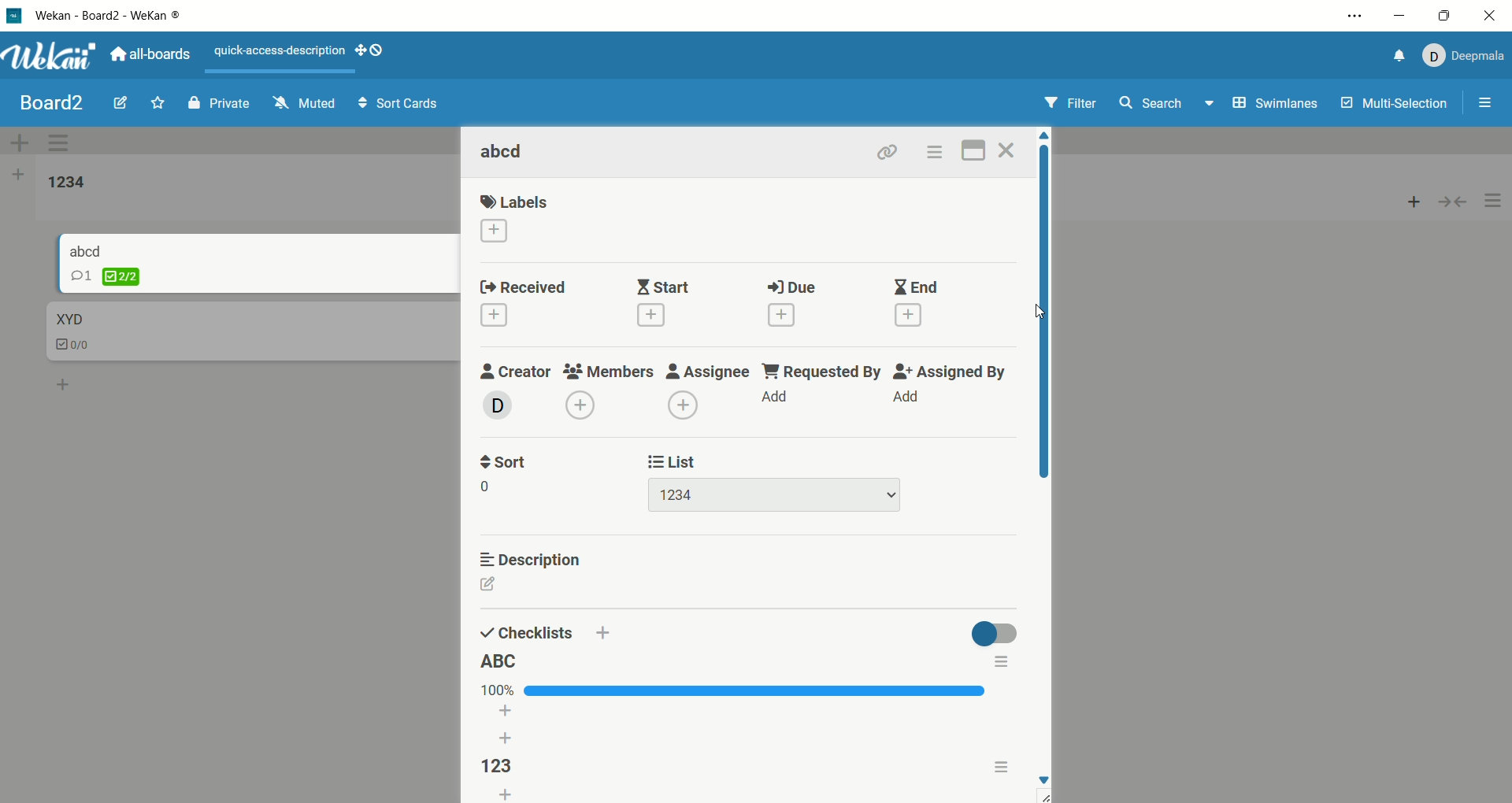 This screenshot has height=803, width=1512. I want to click on add, so click(907, 396).